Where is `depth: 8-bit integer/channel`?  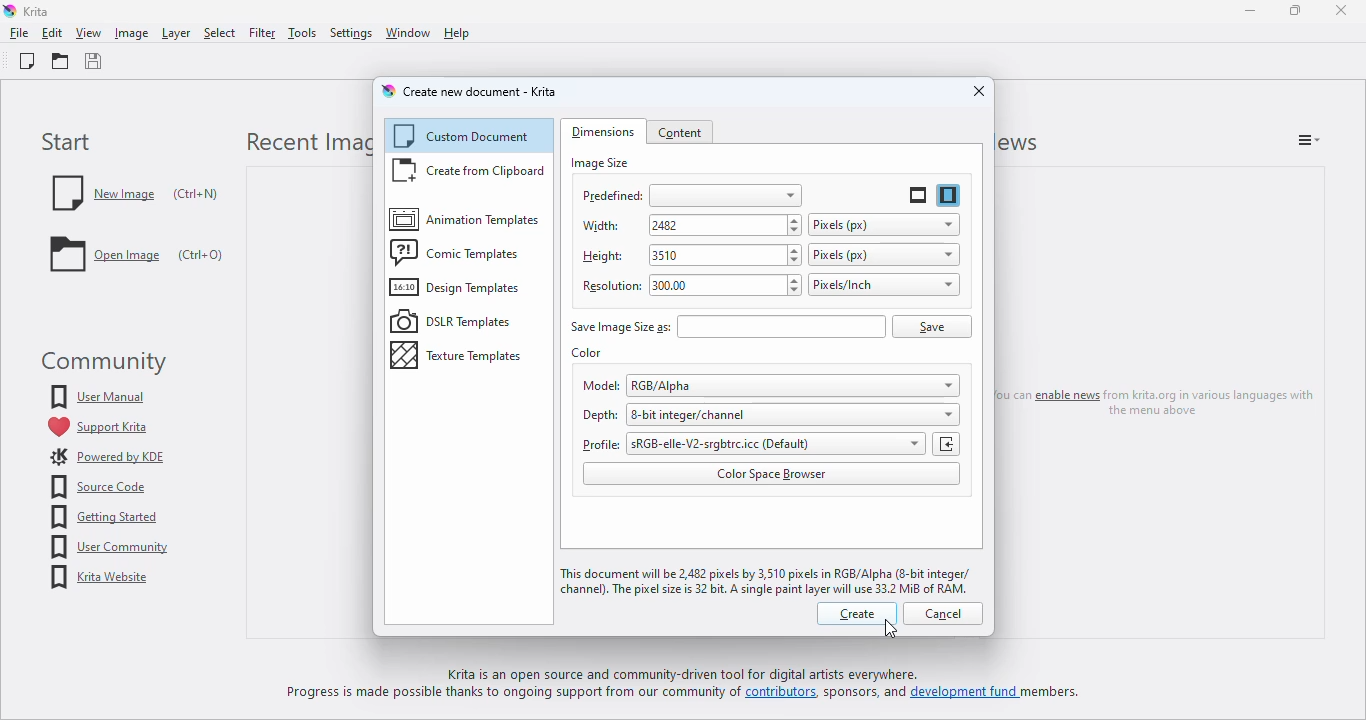
depth: 8-bit integer/channel is located at coordinates (736, 413).